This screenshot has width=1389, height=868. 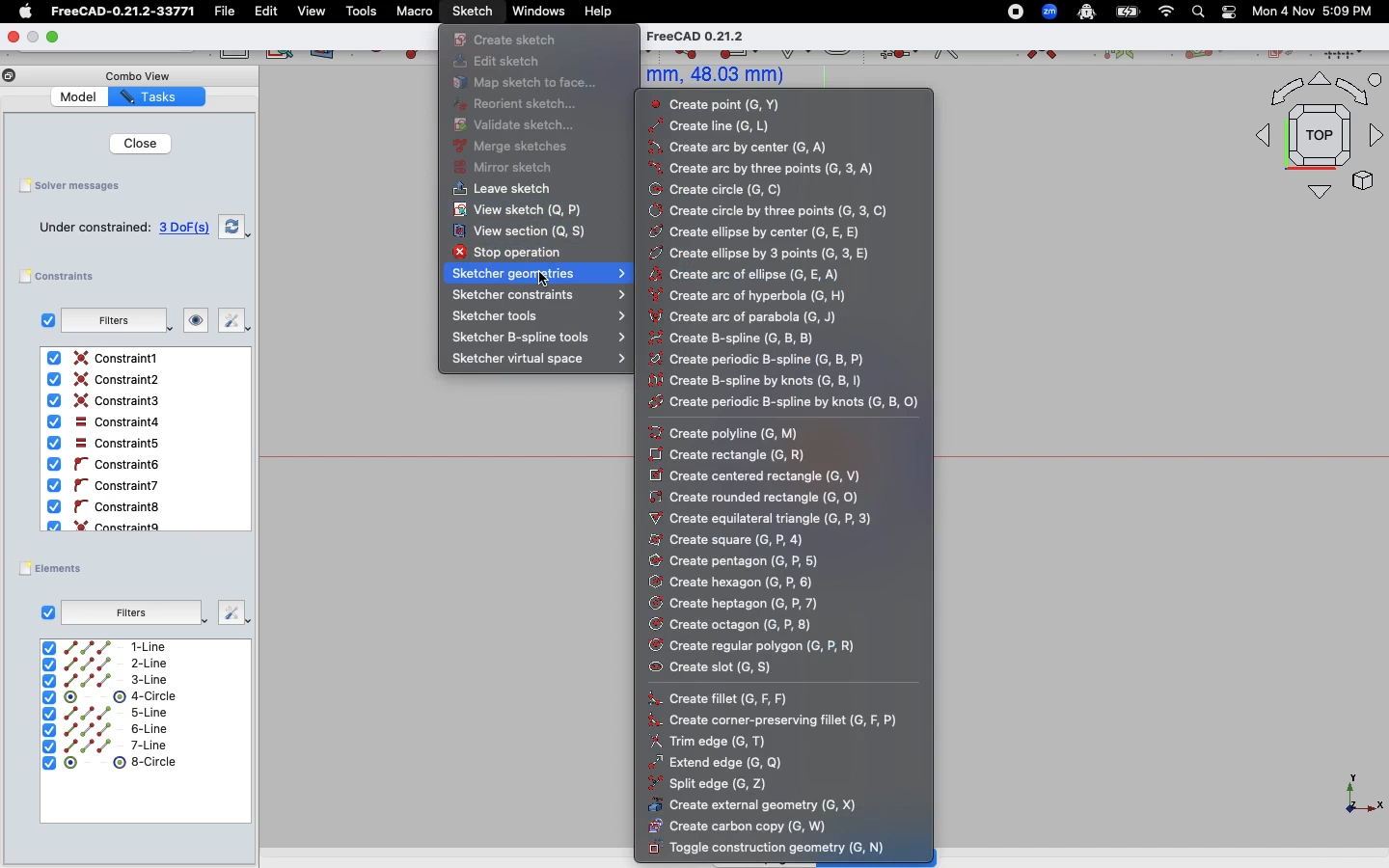 I want to click on Combo View, so click(x=137, y=75).